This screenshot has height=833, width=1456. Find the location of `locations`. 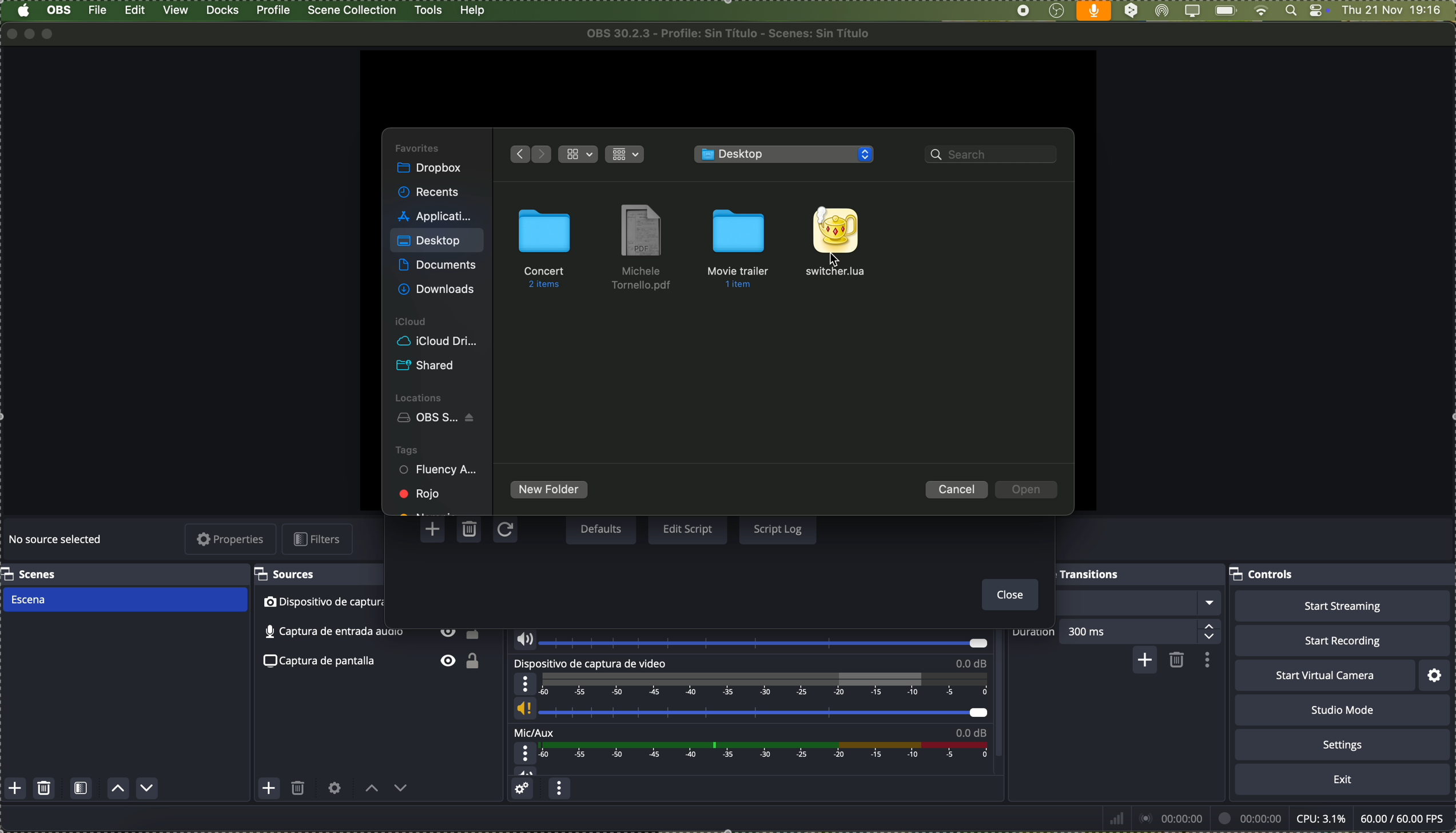

locations is located at coordinates (421, 396).